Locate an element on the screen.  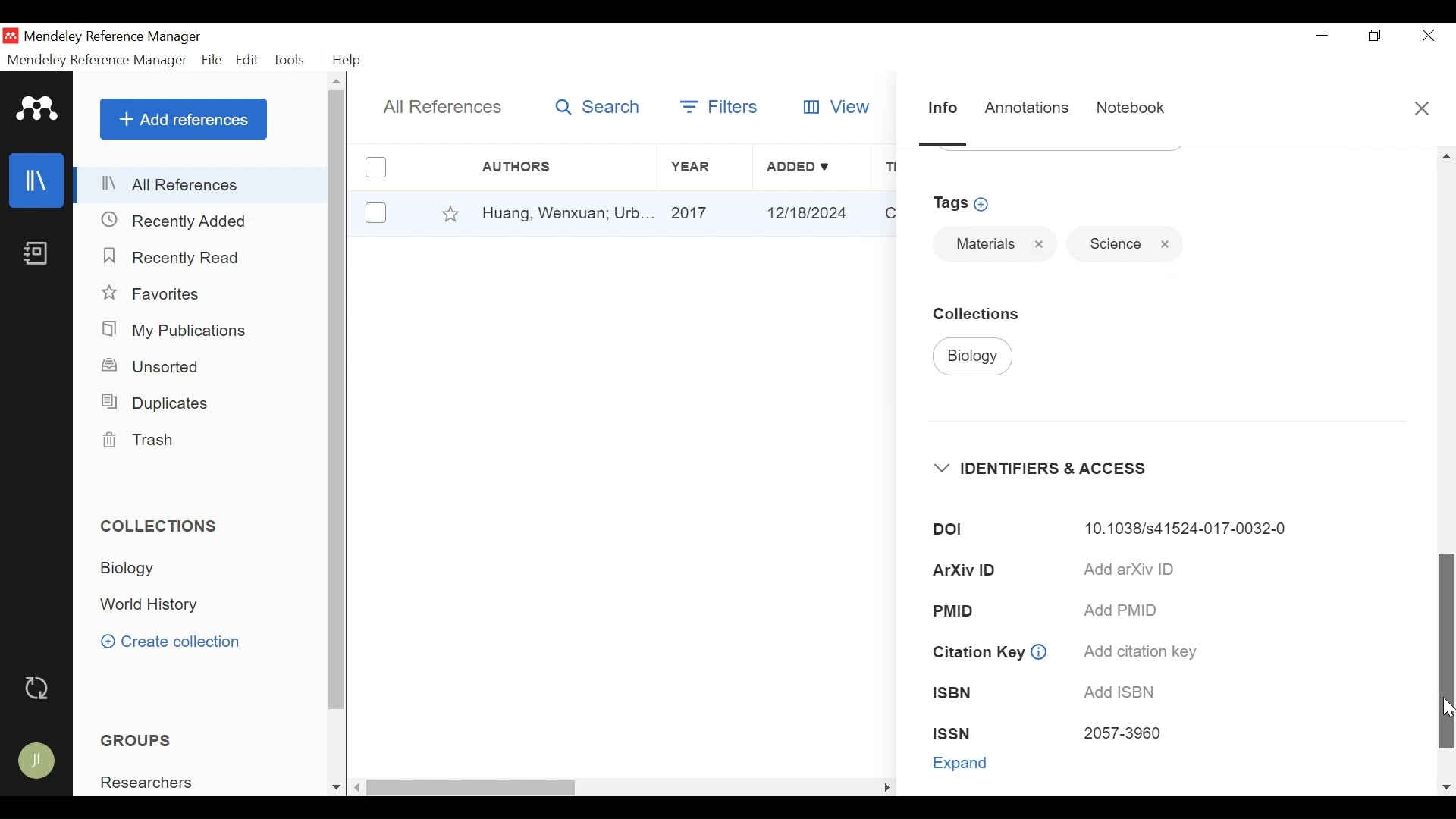
Restore is located at coordinates (1373, 35).